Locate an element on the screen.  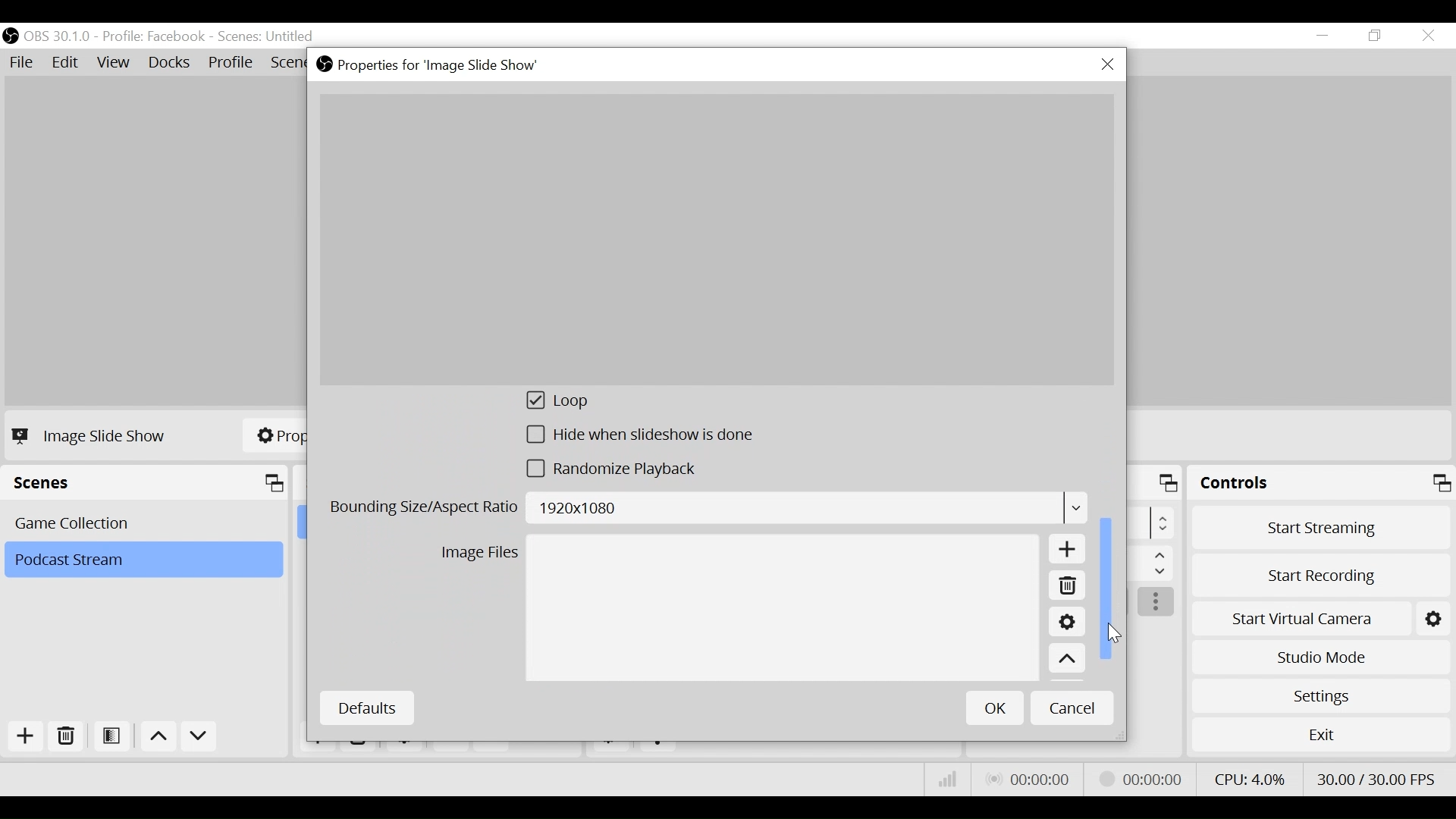
Scene is located at coordinates (268, 37).